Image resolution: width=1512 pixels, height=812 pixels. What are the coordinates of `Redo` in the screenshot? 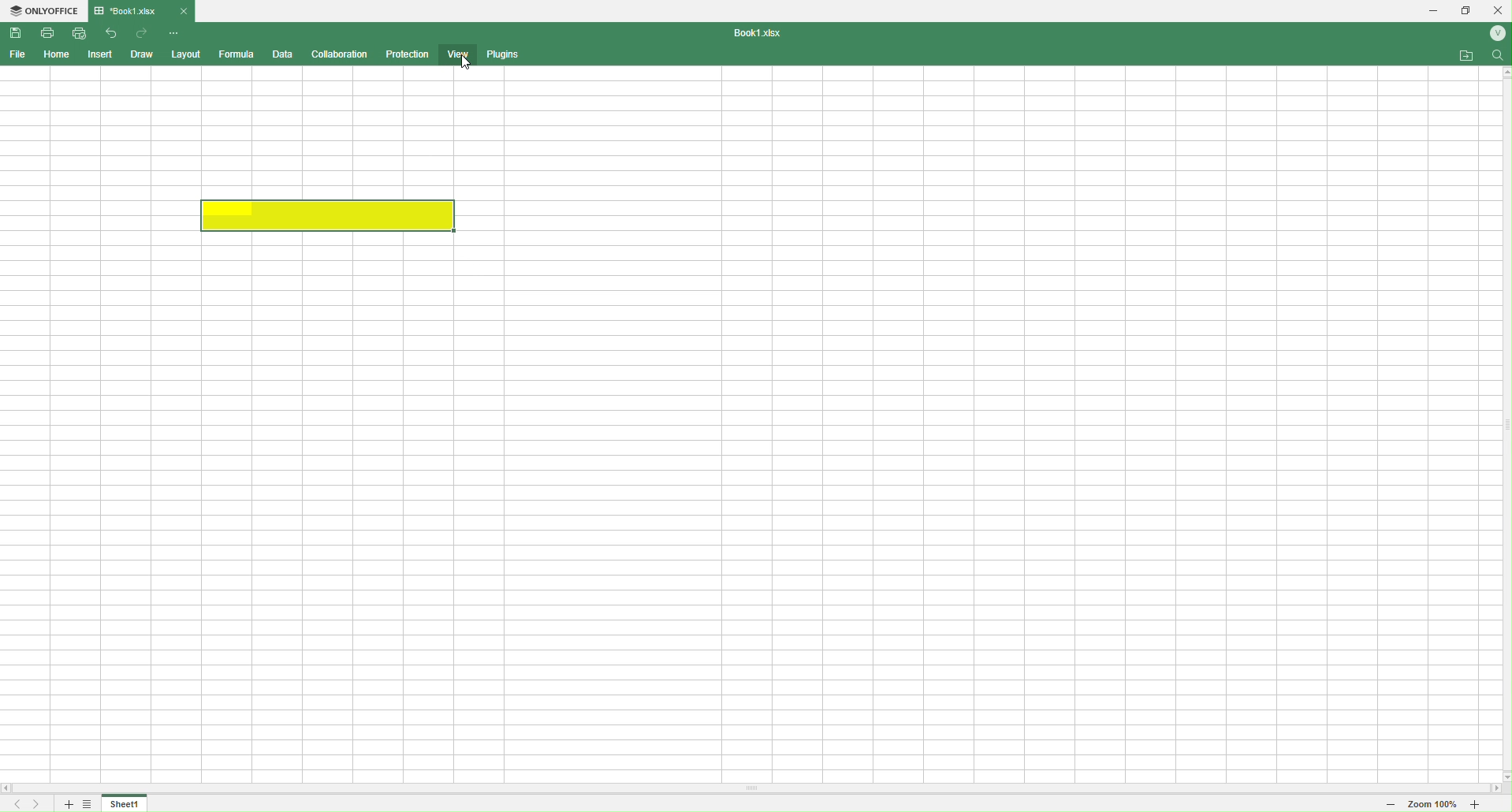 It's located at (140, 32).